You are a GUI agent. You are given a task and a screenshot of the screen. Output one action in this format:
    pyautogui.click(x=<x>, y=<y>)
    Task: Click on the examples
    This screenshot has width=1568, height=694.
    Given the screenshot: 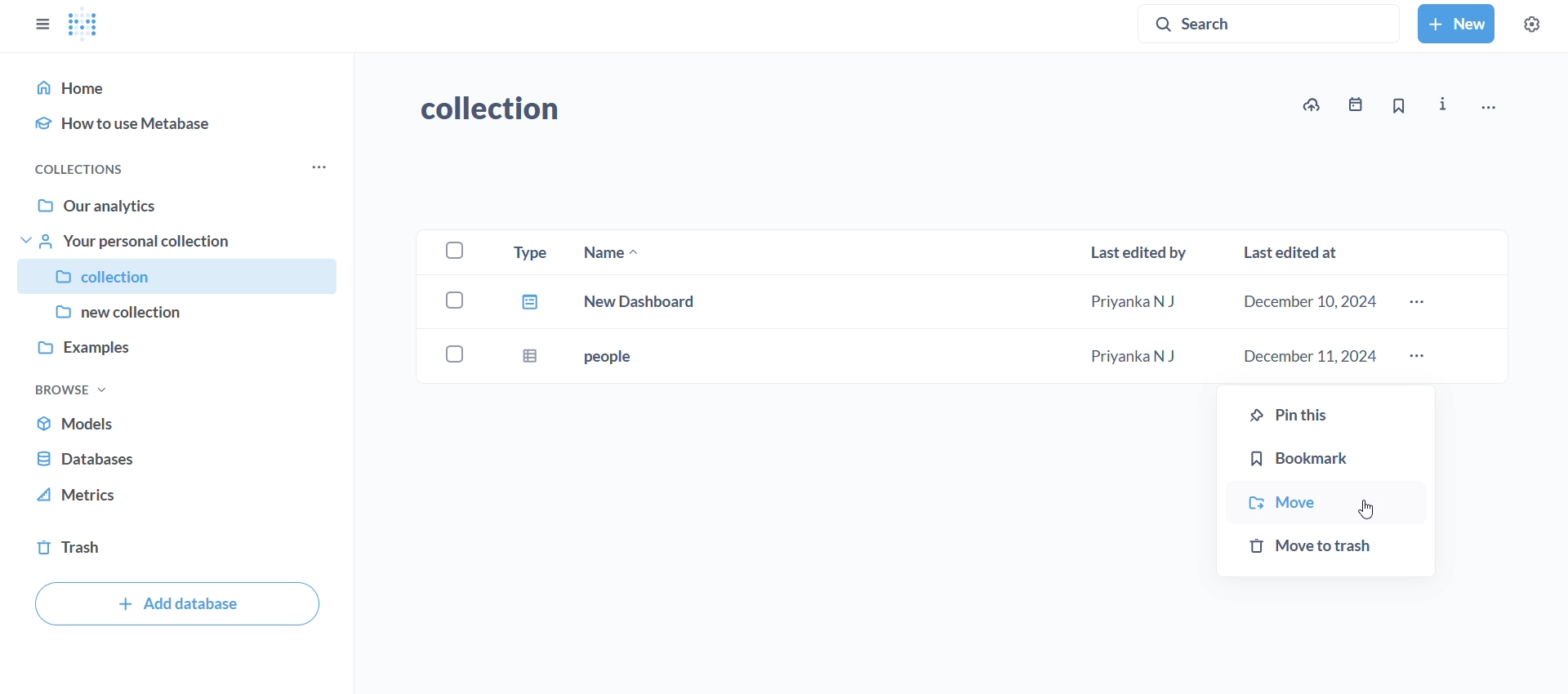 What is the action you would take?
    pyautogui.click(x=176, y=350)
    